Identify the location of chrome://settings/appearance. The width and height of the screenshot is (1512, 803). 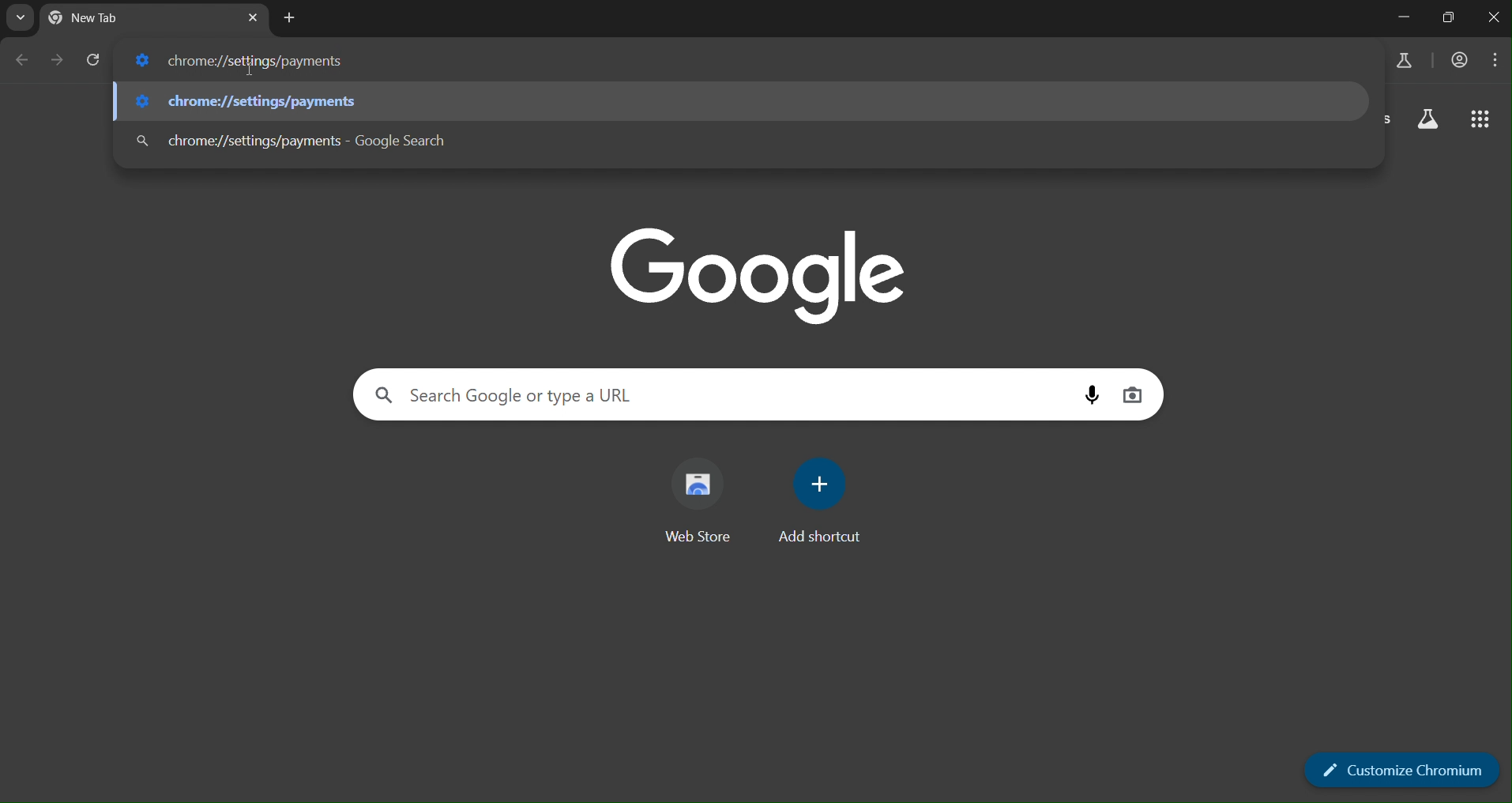
(331, 141).